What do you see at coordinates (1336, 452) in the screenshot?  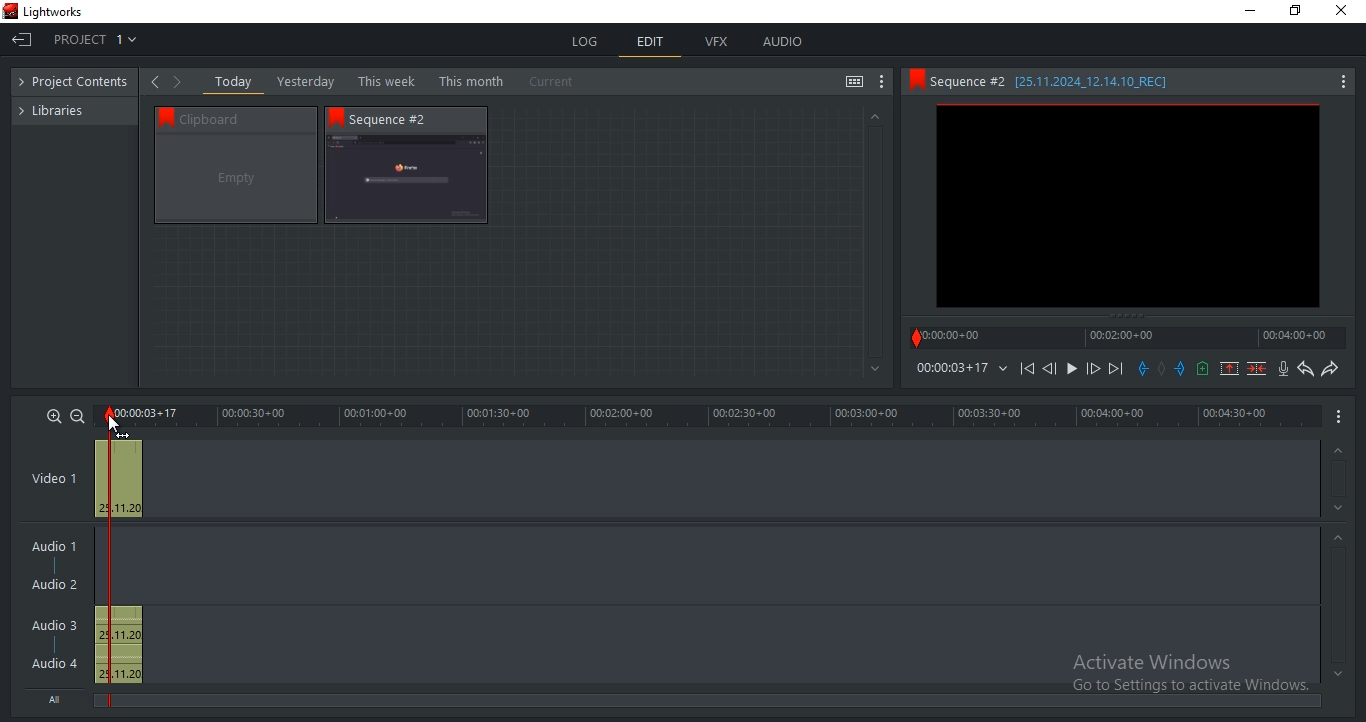 I see `Greyed out up arrow` at bounding box center [1336, 452].